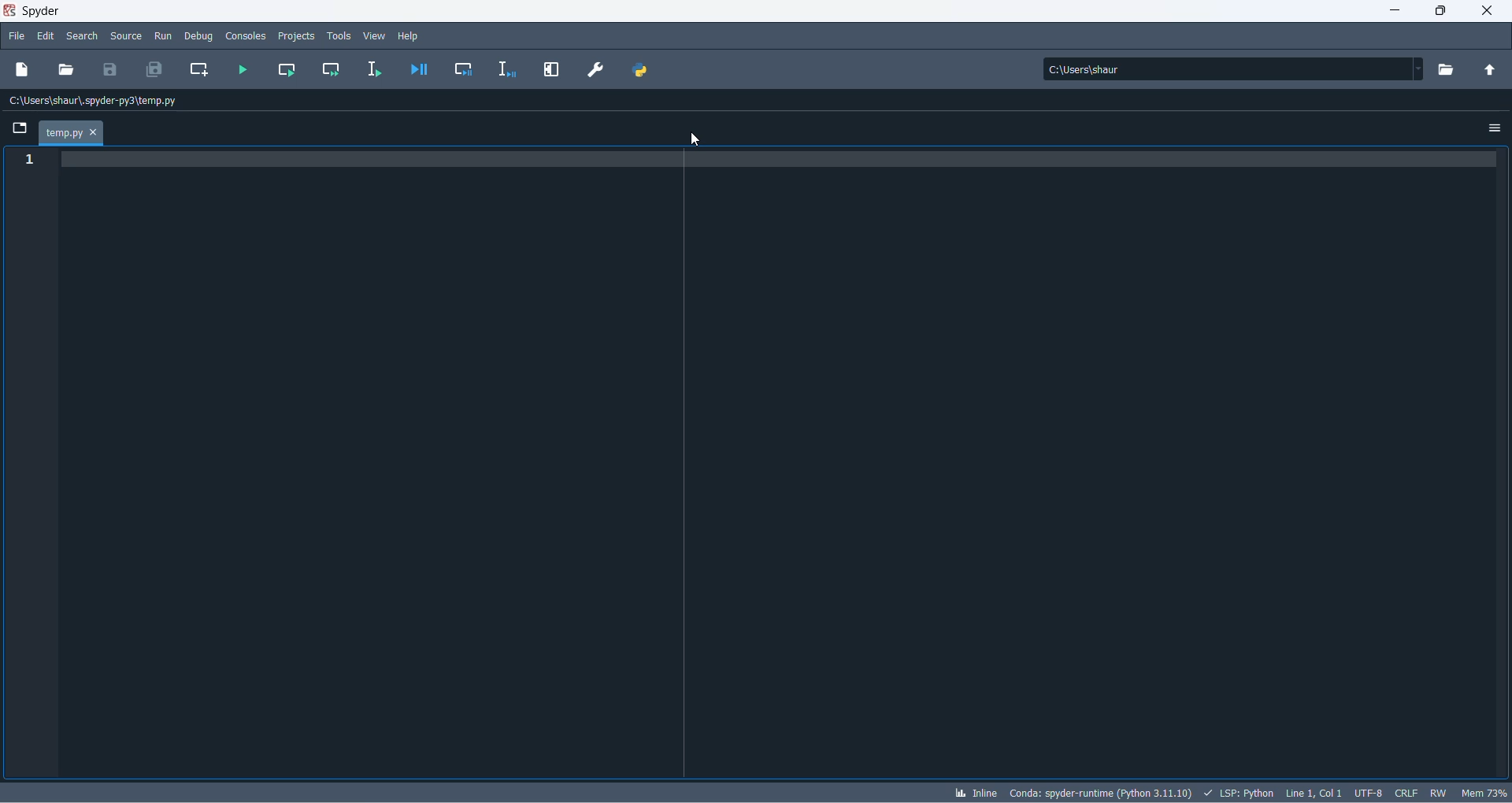 This screenshot has height=803, width=1512. I want to click on run, so click(160, 34).